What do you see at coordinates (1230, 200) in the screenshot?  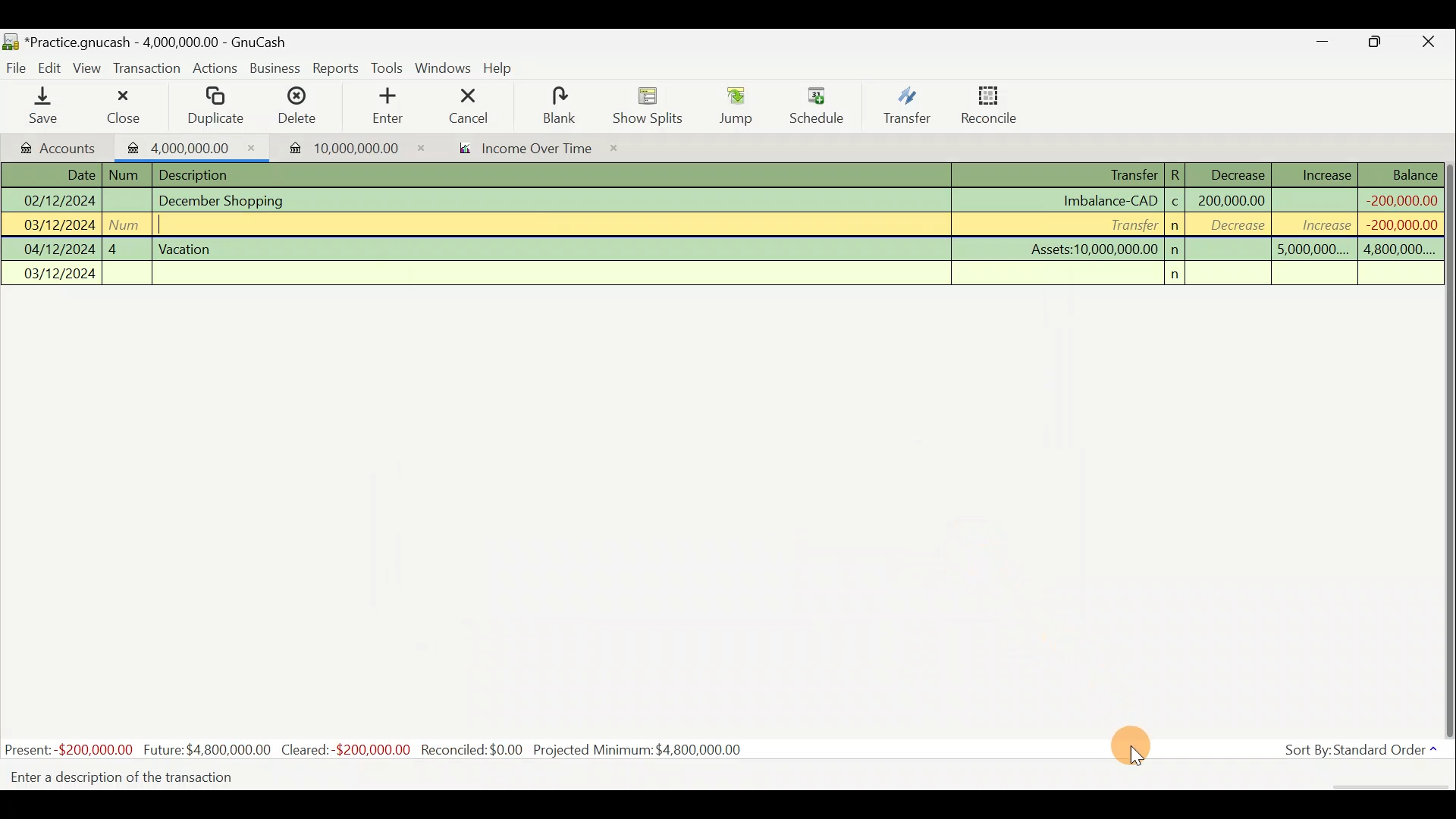 I see `200,000,000` at bounding box center [1230, 200].